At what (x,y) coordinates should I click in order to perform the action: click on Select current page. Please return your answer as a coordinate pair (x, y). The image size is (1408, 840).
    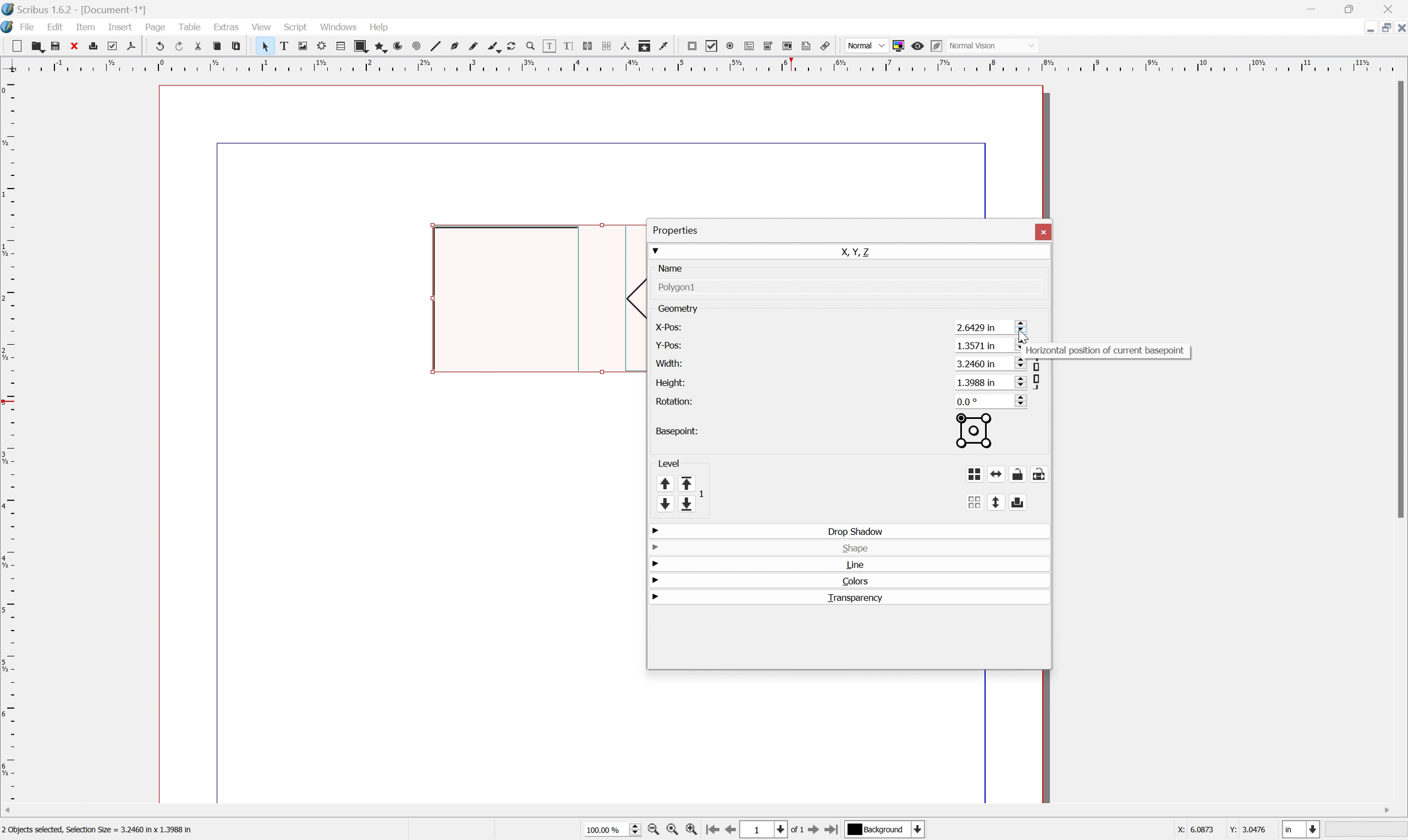
    Looking at the image, I should click on (771, 831).